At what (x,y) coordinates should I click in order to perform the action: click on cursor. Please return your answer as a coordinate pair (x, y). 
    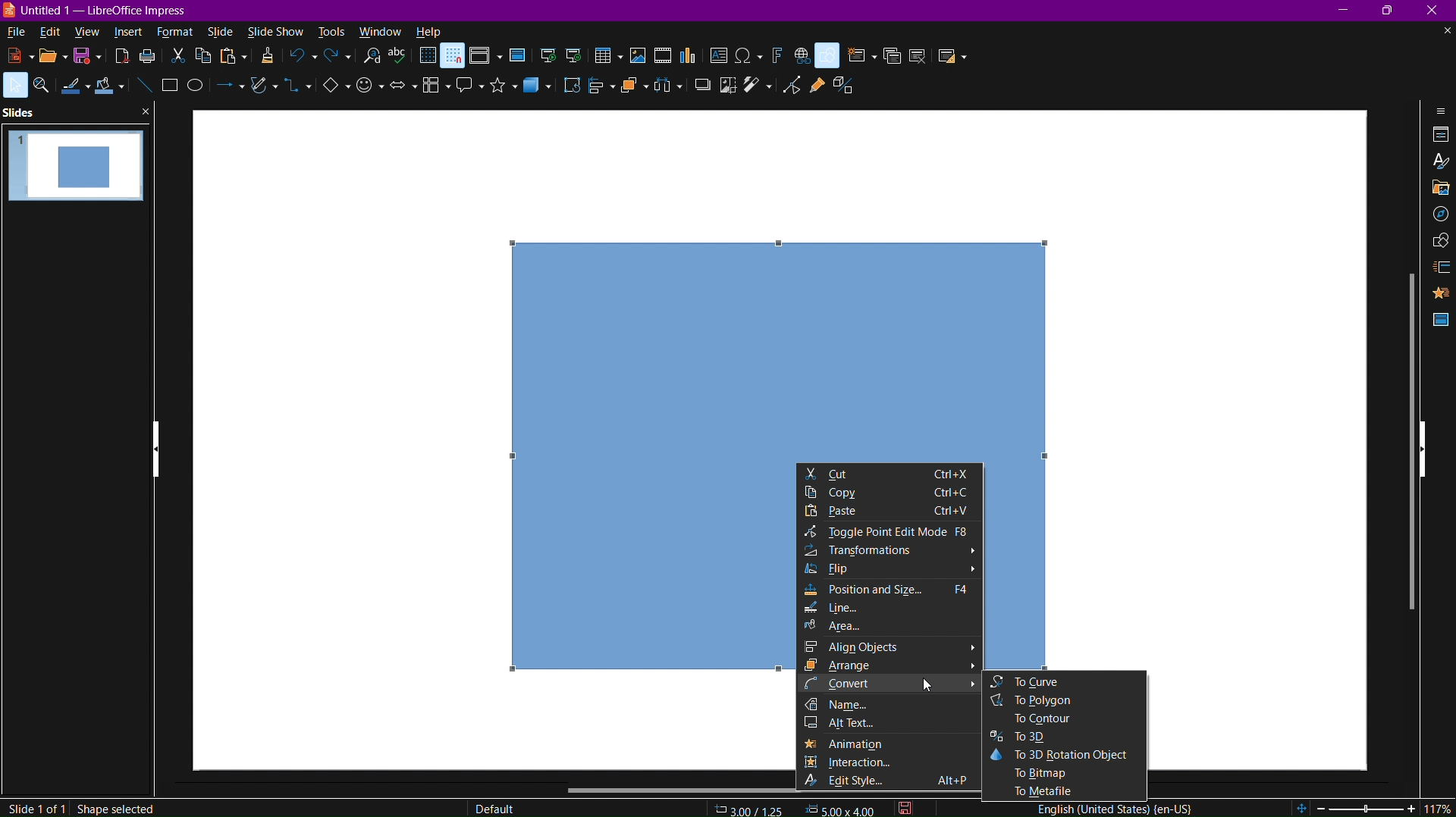
    Looking at the image, I should click on (927, 685).